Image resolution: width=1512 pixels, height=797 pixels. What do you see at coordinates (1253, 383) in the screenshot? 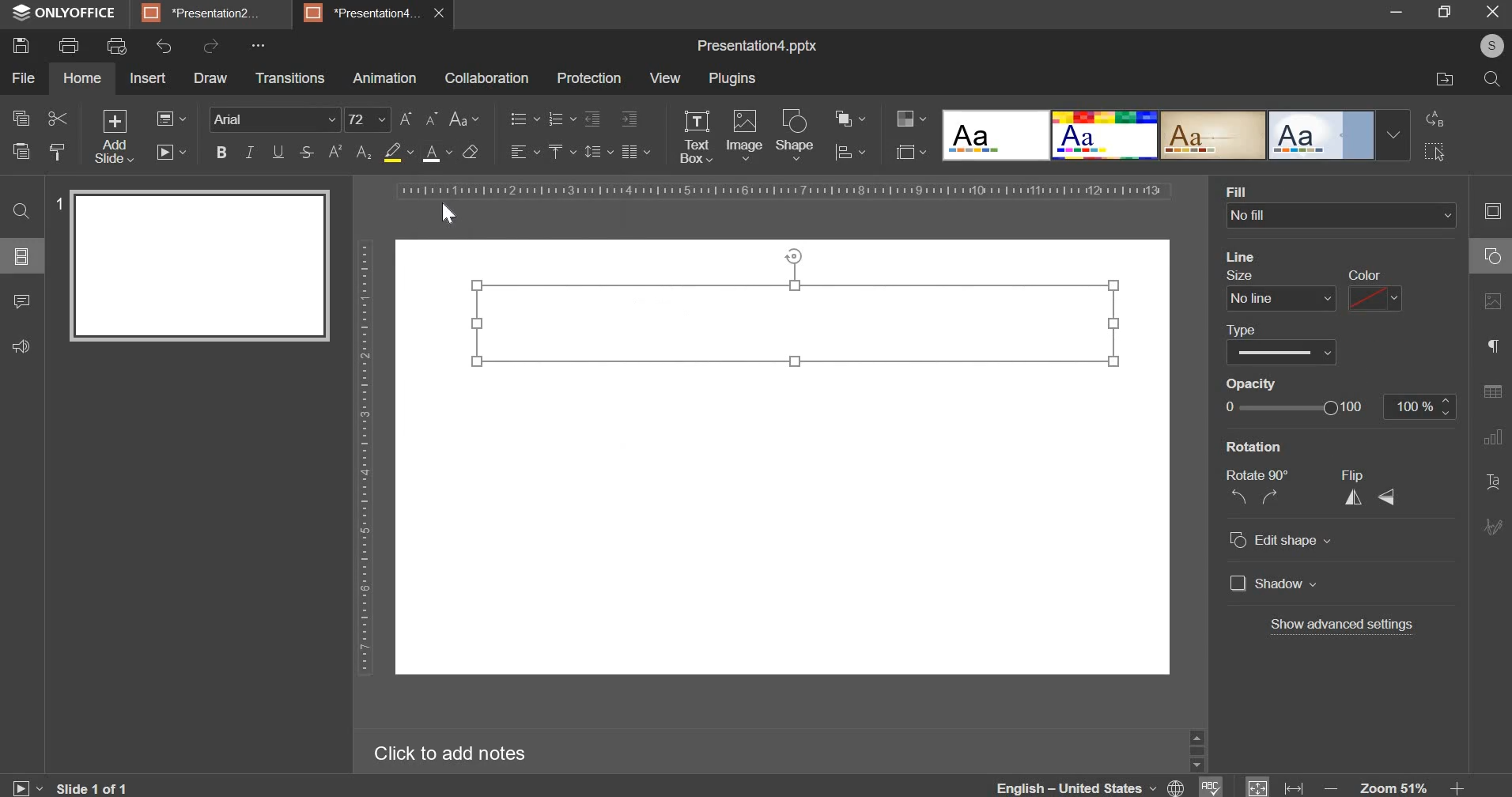
I see `opacity` at bounding box center [1253, 383].